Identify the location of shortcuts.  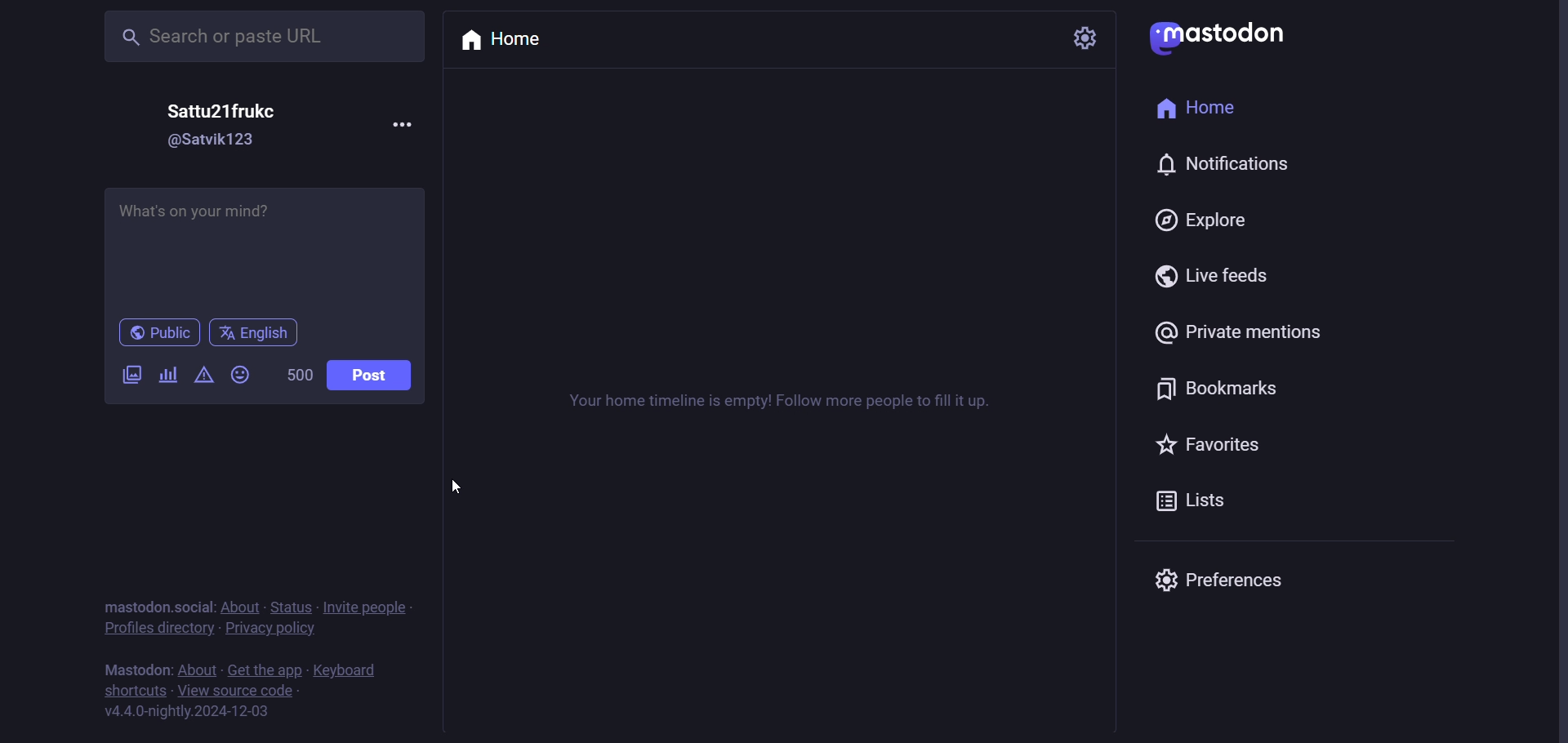
(132, 692).